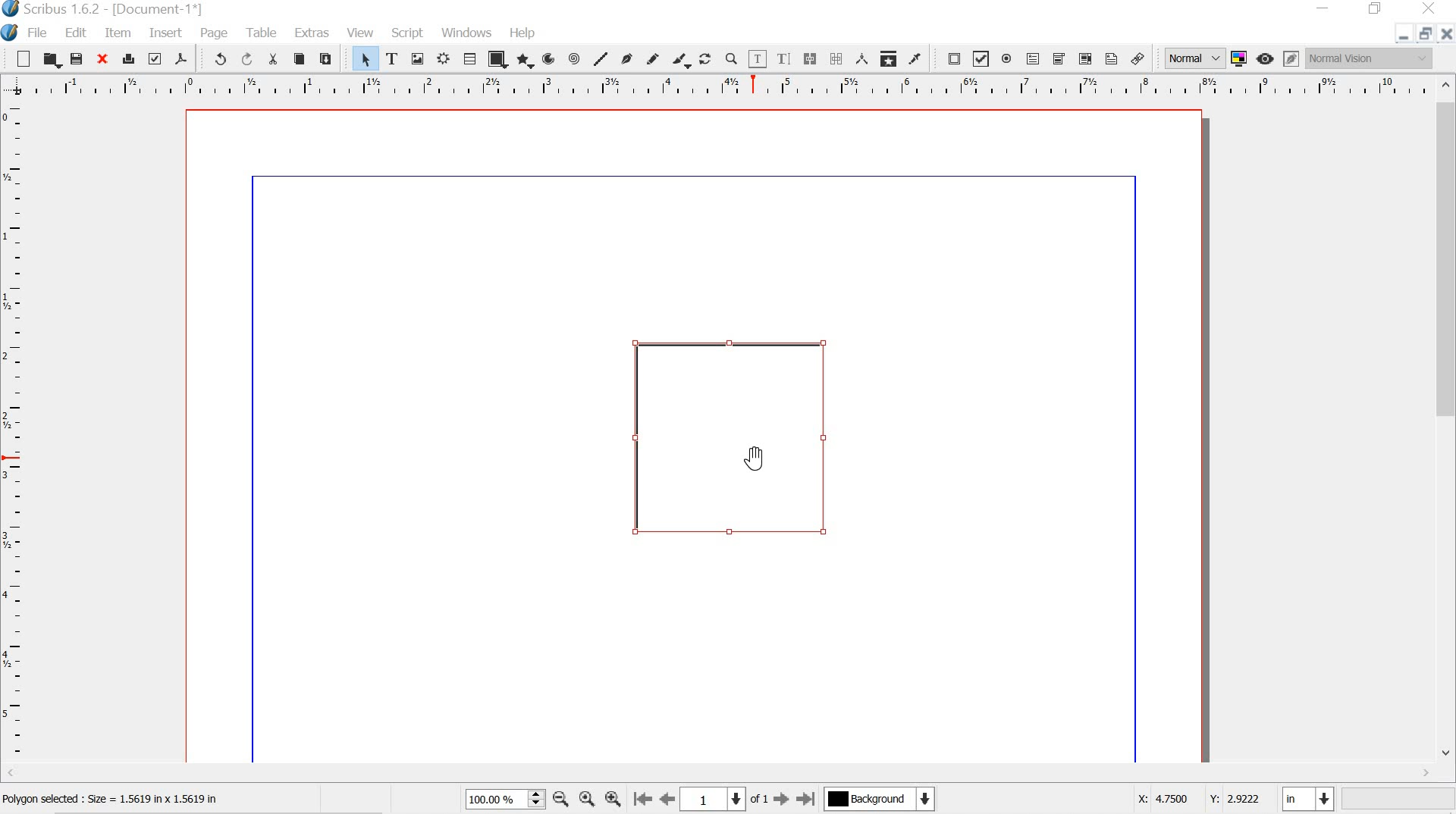  What do you see at coordinates (218, 33) in the screenshot?
I see `page` at bounding box center [218, 33].